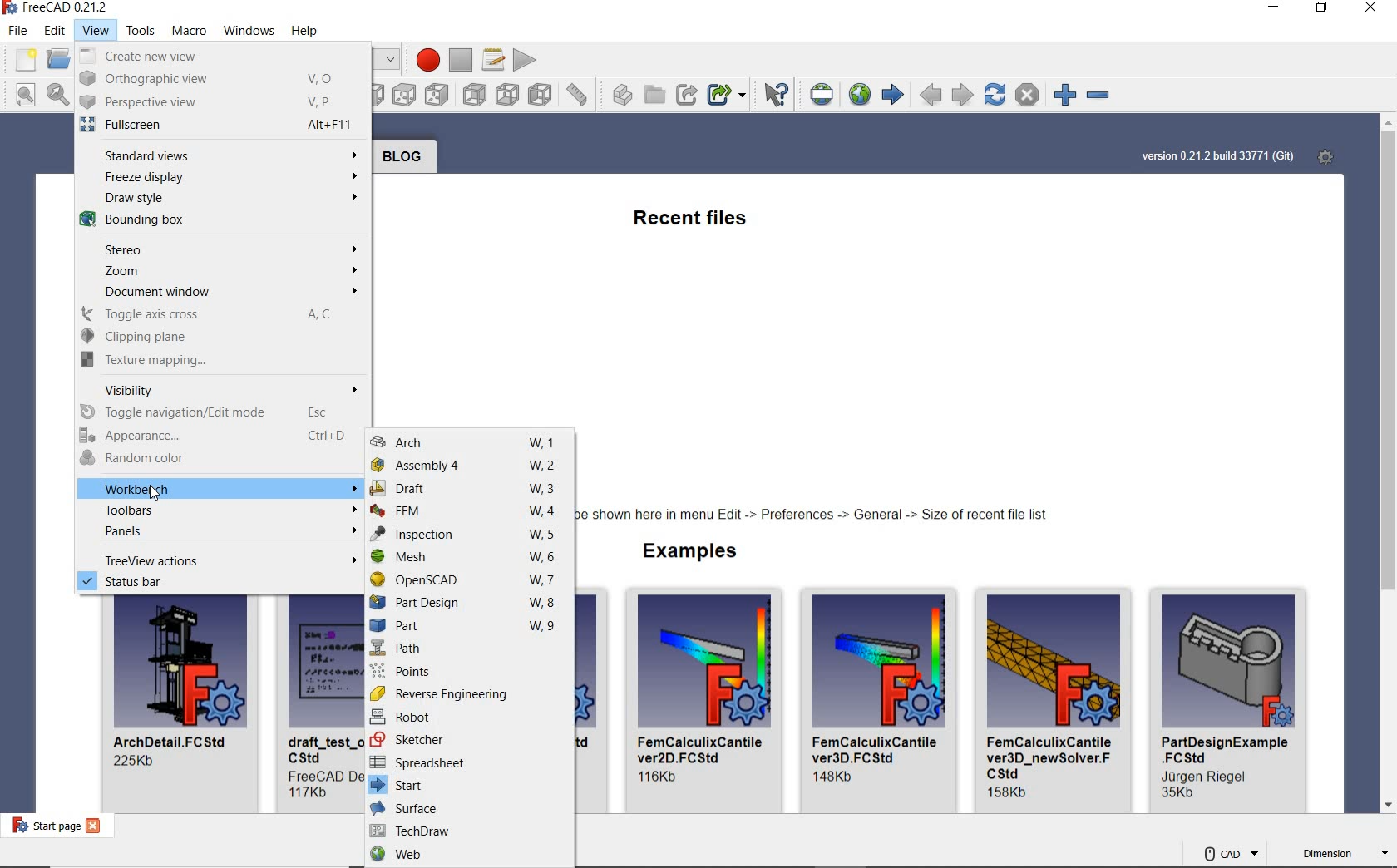 Image resolution: width=1397 pixels, height=868 pixels. I want to click on rear, so click(476, 96).